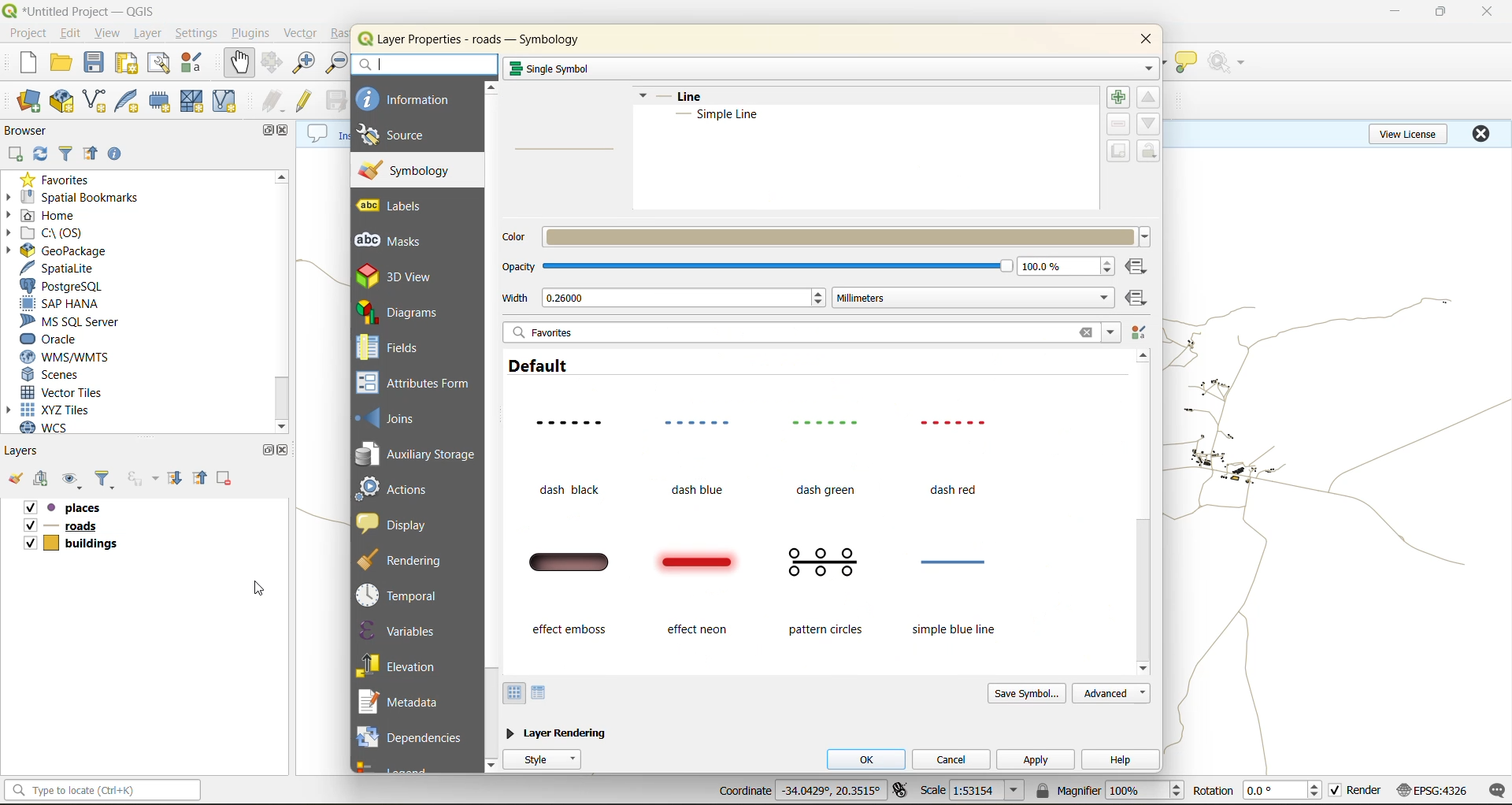 This screenshot has height=805, width=1512. Describe the element at coordinates (105, 480) in the screenshot. I see `filter` at that location.